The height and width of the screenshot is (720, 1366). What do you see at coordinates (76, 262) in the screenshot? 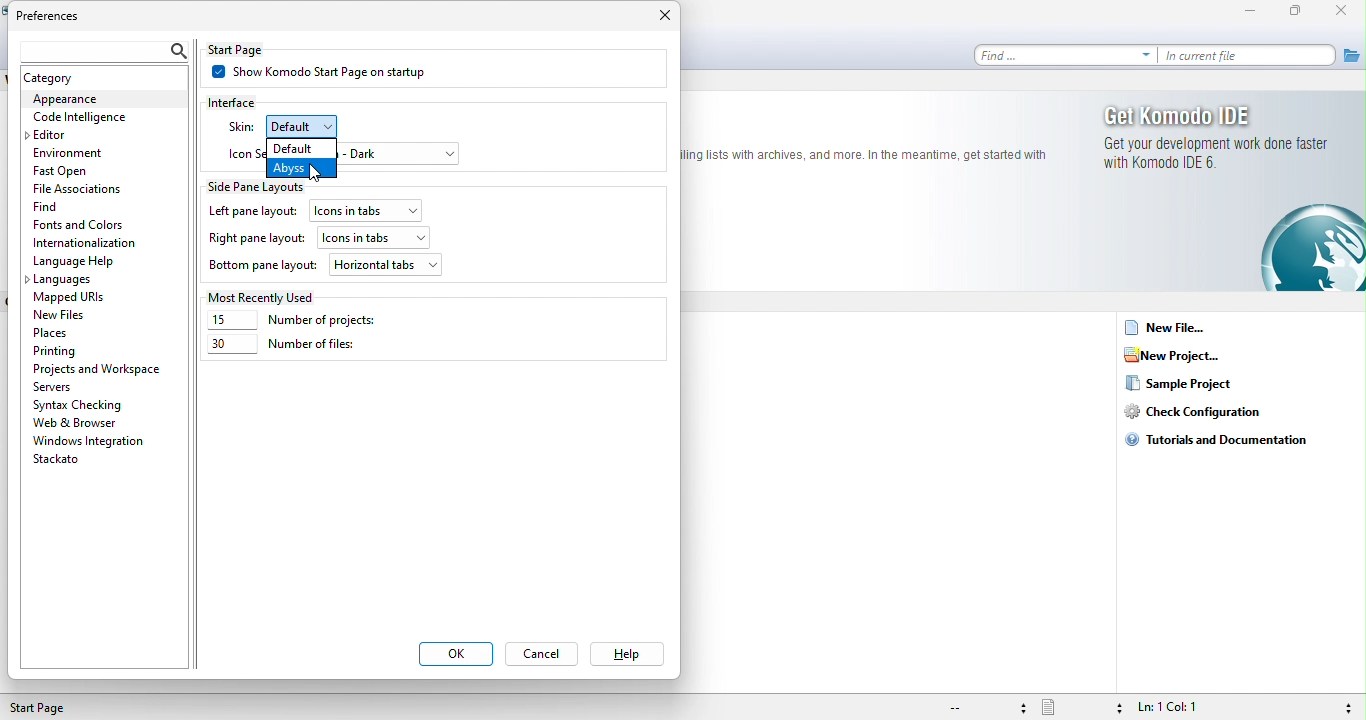
I see `language help` at bounding box center [76, 262].